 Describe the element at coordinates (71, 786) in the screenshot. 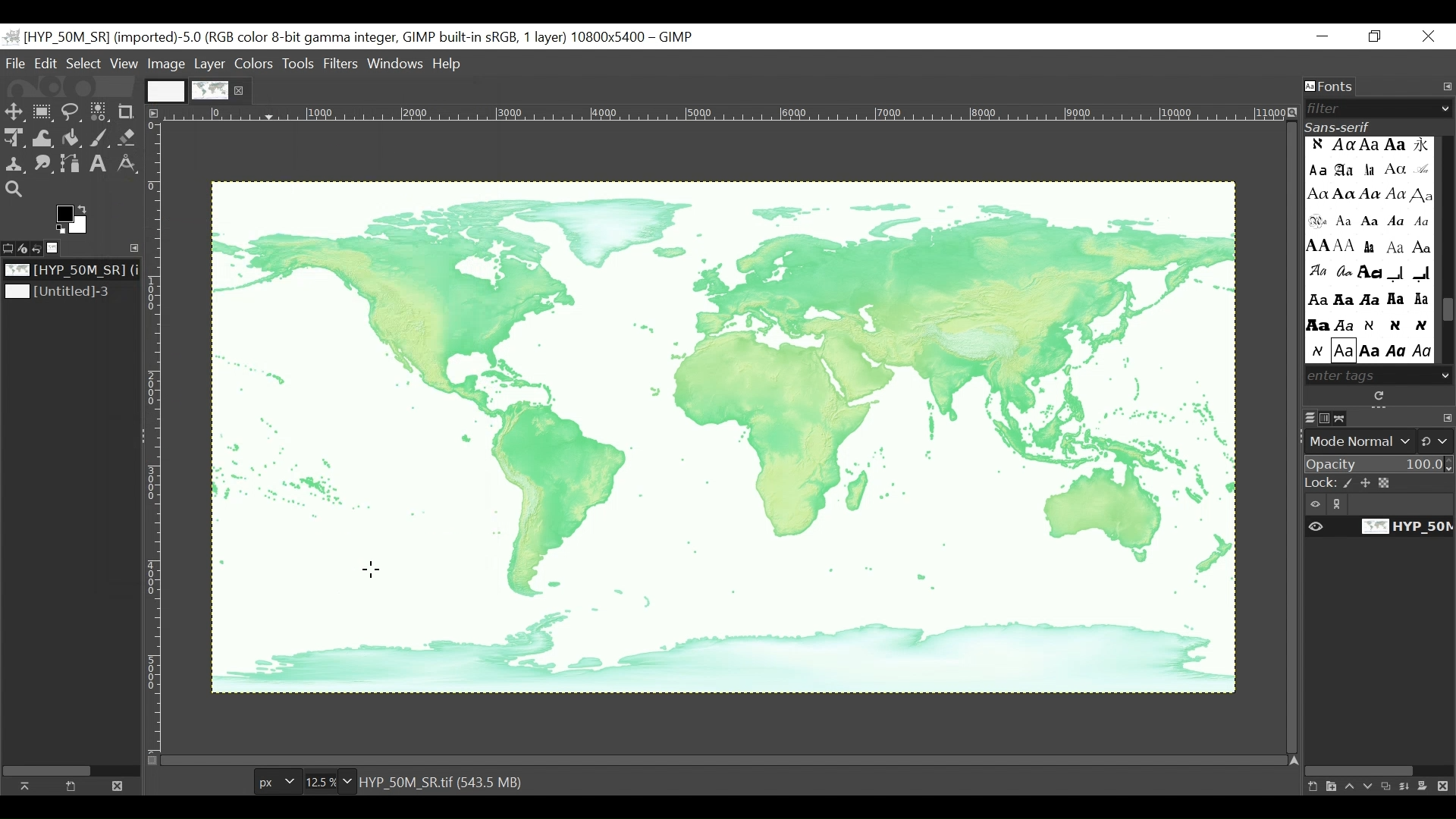

I see `Create a new display` at that location.